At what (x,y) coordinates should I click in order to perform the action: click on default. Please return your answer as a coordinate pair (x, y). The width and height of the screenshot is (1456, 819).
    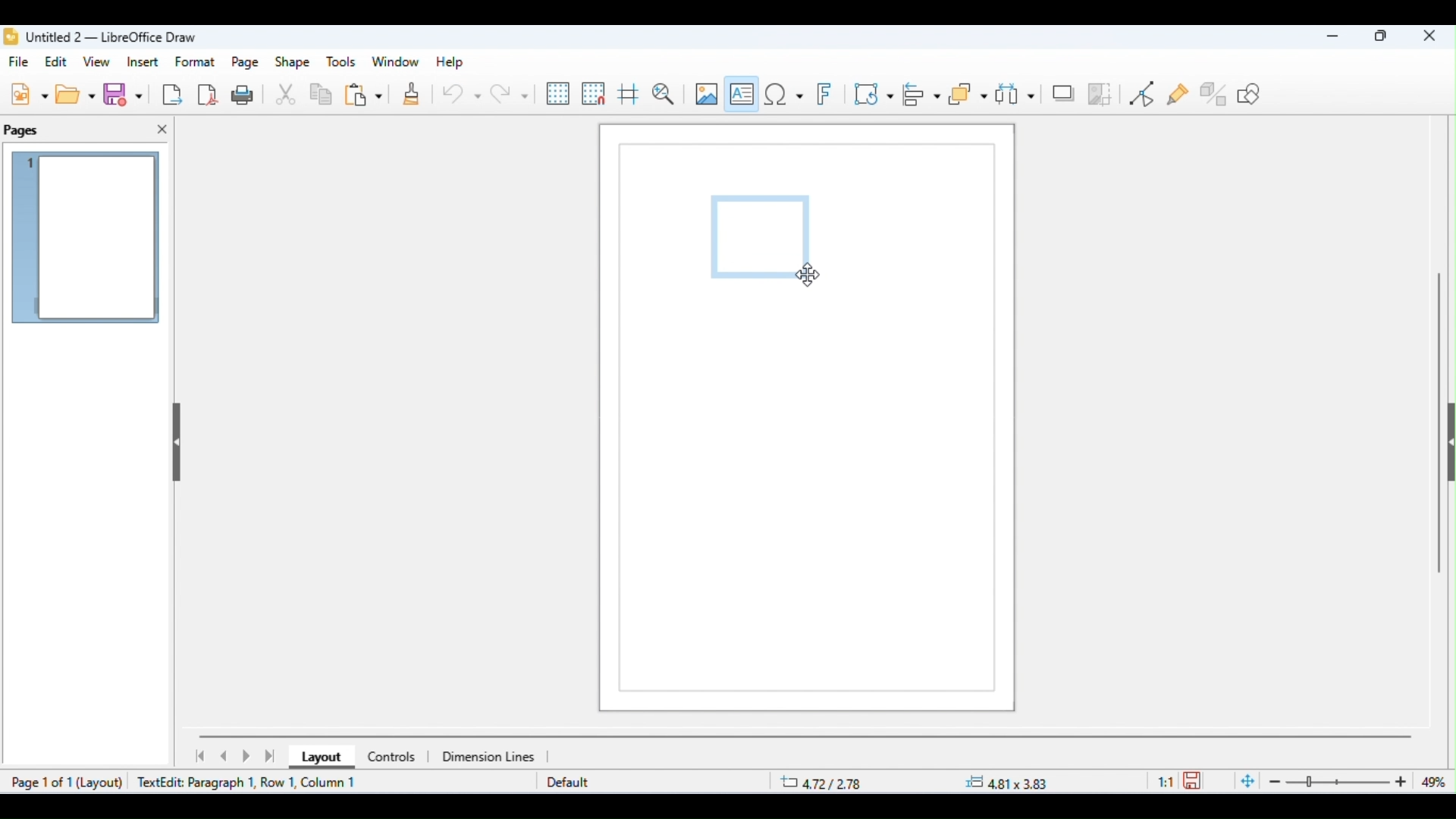
    Looking at the image, I should click on (568, 783).